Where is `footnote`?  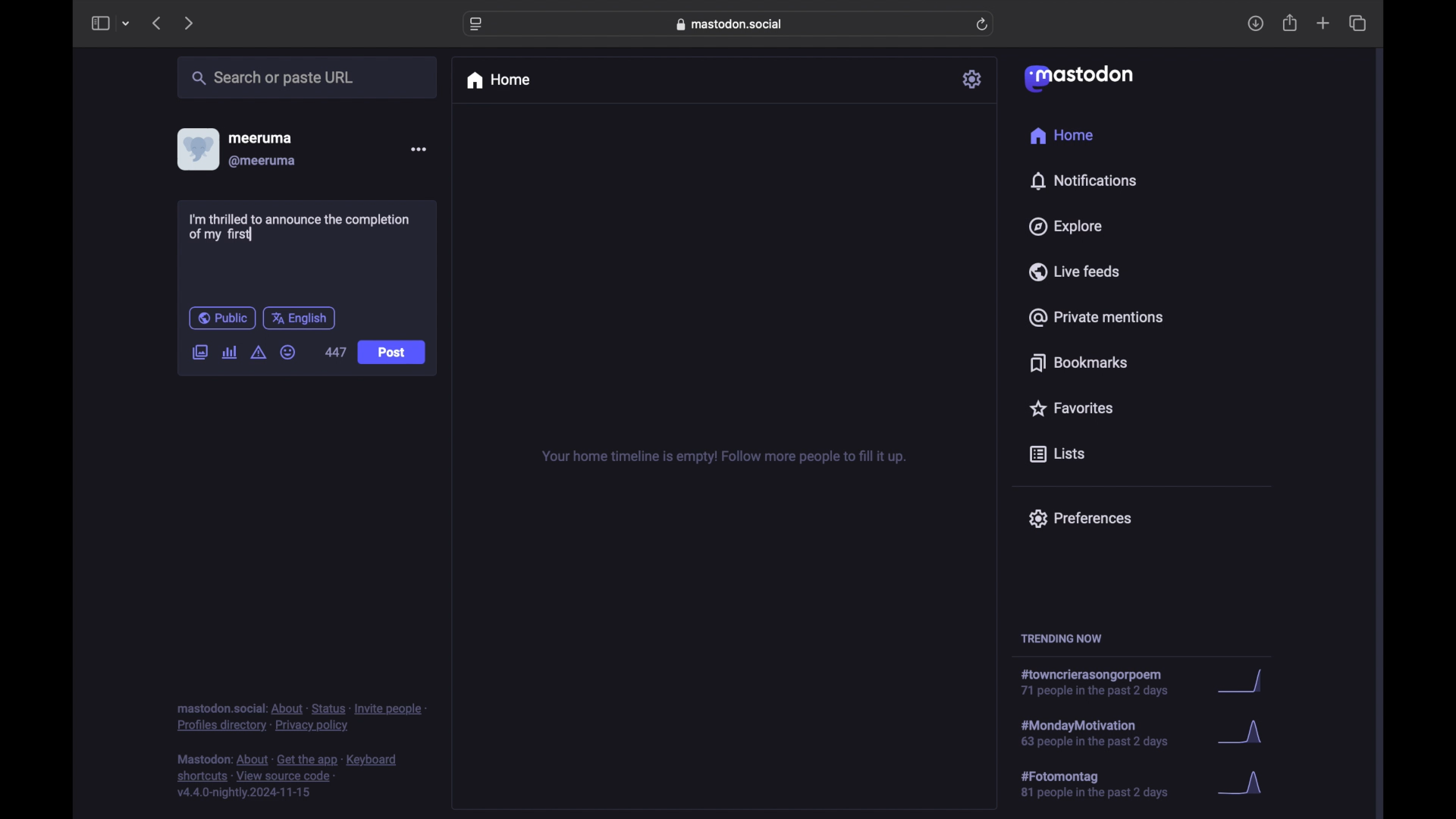 footnote is located at coordinates (301, 718).